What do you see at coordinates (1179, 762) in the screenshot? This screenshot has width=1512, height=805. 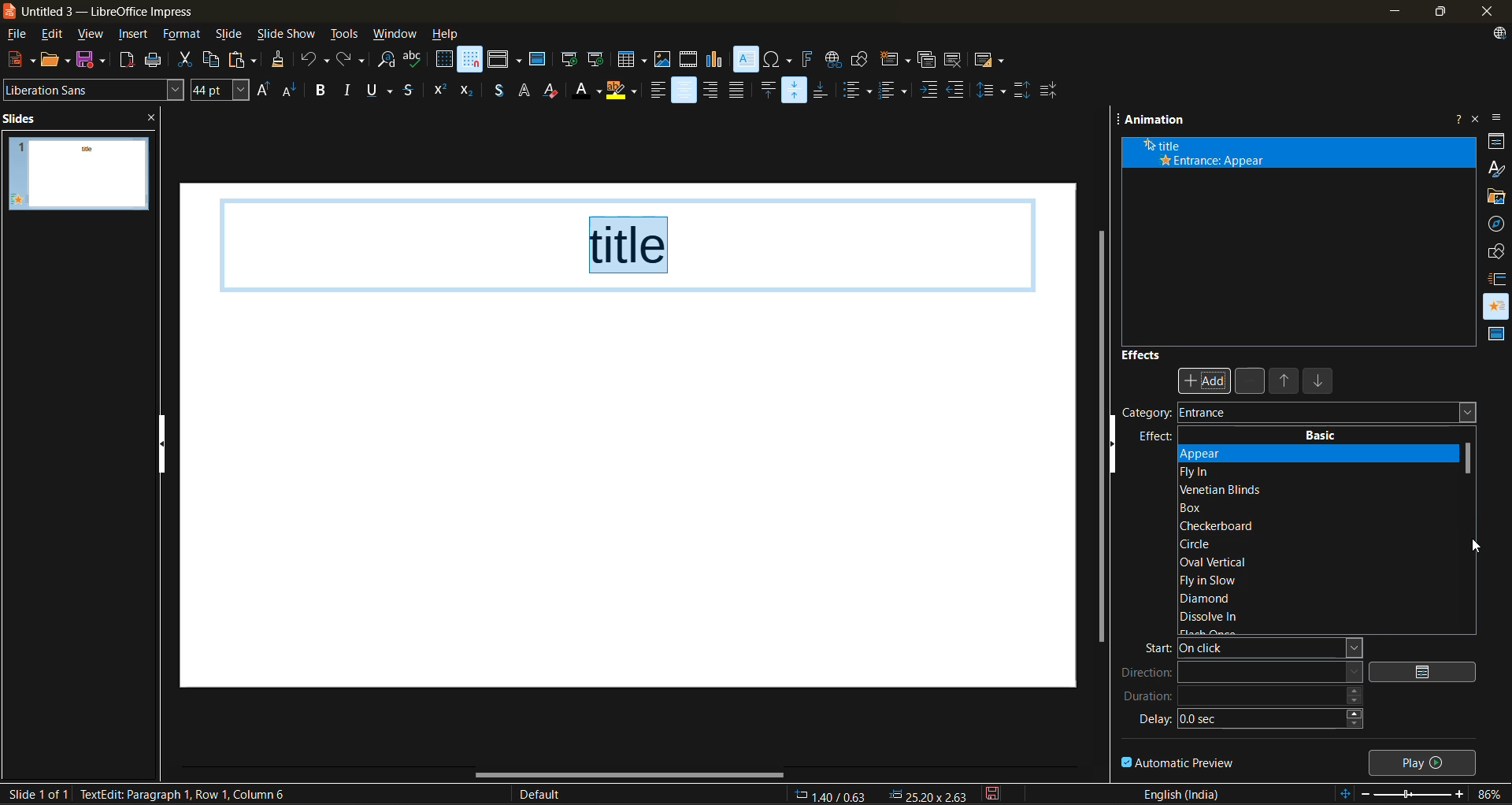 I see `automatic preview` at bounding box center [1179, 762].